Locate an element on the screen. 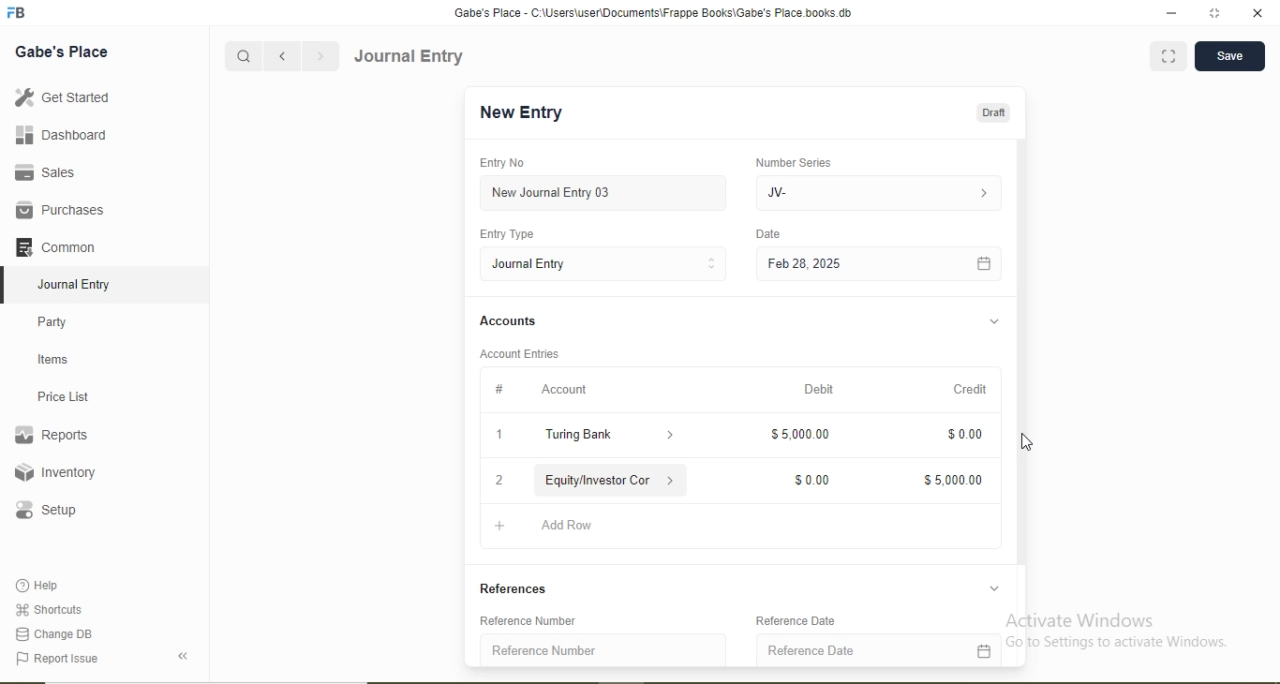 The image size is (1280, 684). Backward is located at coordinates (282, 57).